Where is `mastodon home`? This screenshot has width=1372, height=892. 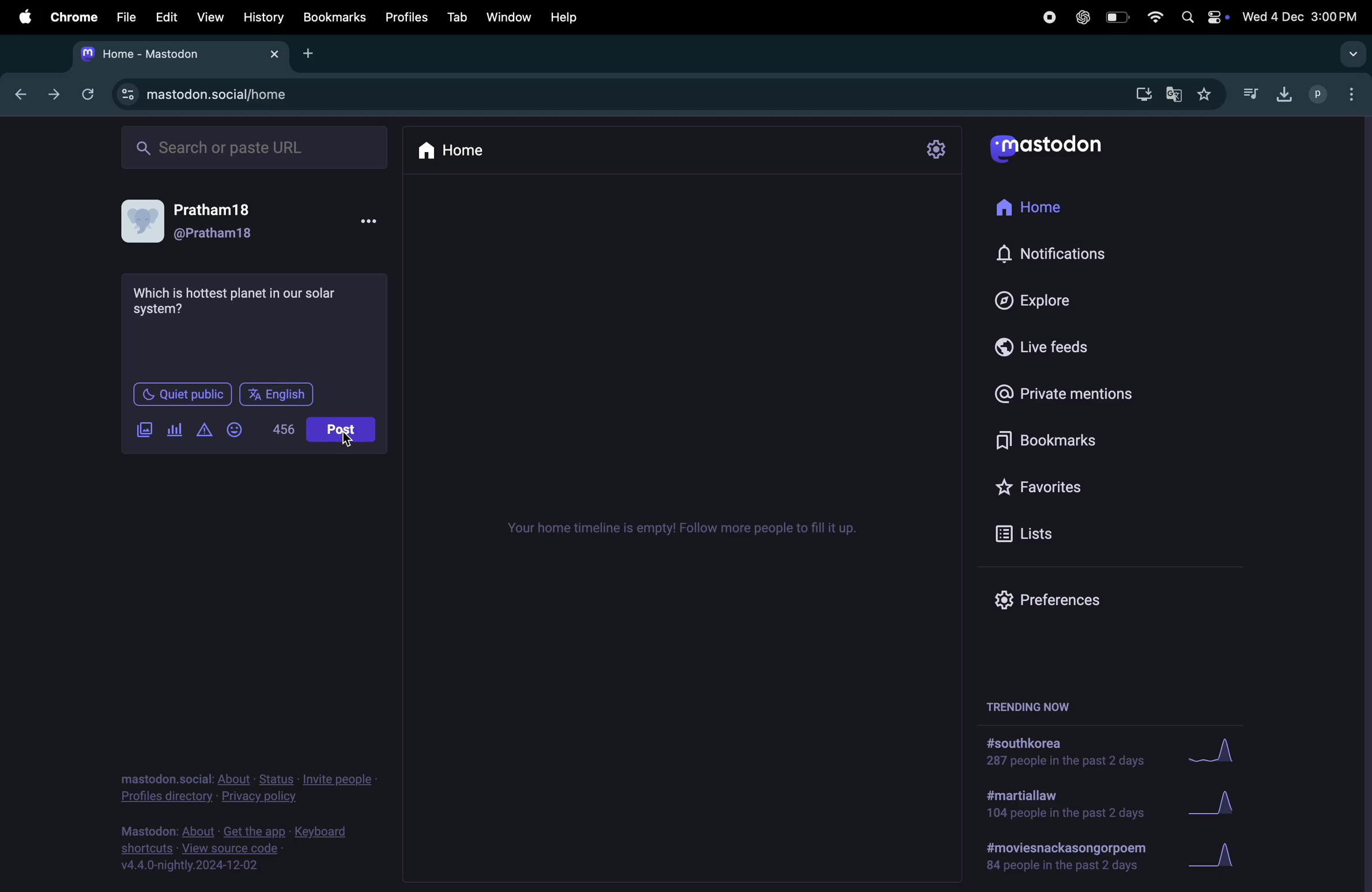 mastodon home is located at coordinates (179, 54).